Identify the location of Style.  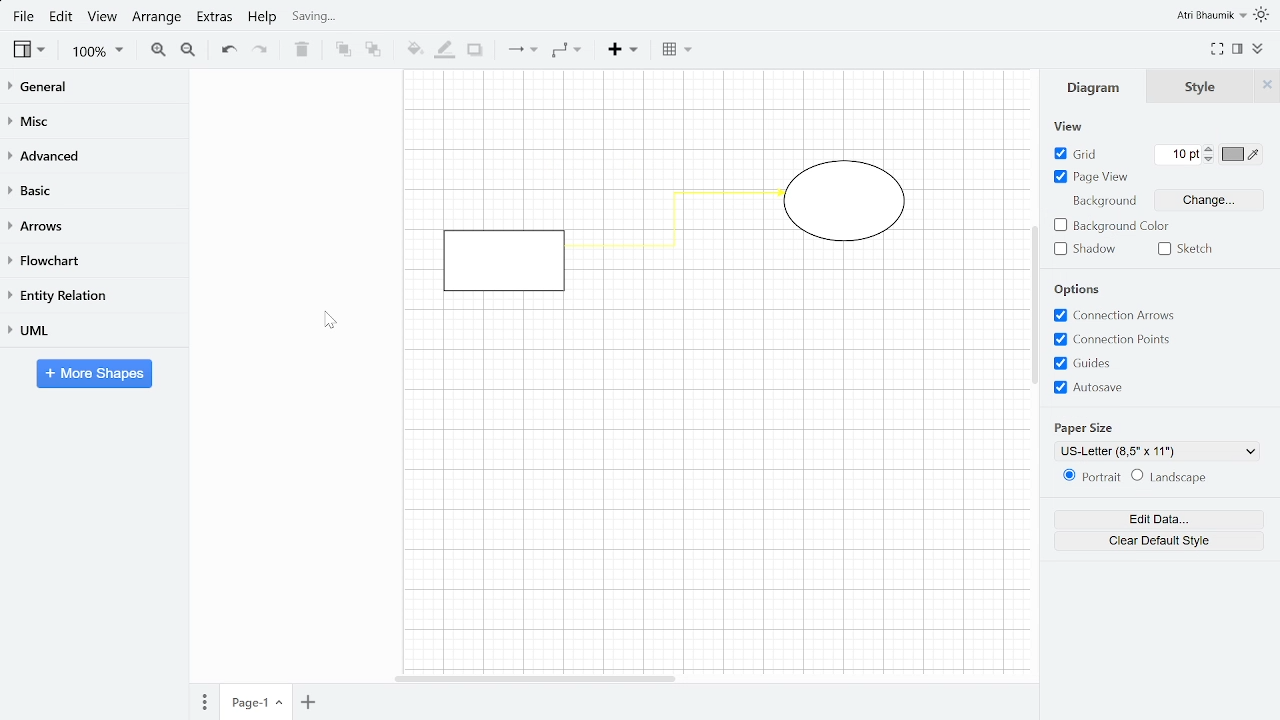
(1202, 87).